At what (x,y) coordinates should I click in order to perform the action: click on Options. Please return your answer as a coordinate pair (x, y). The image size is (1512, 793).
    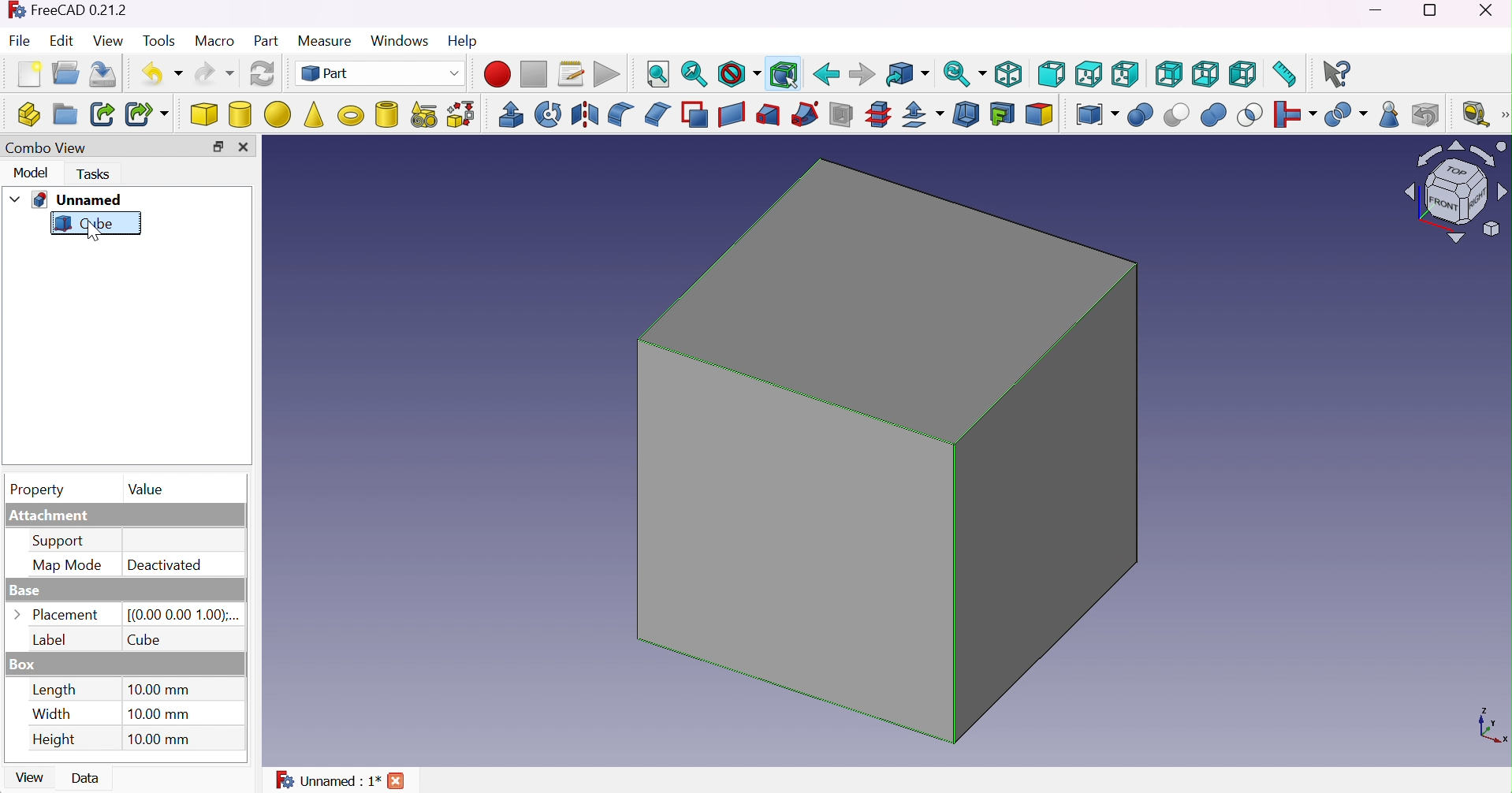
    Looking at the image, I should click on (17, 614).